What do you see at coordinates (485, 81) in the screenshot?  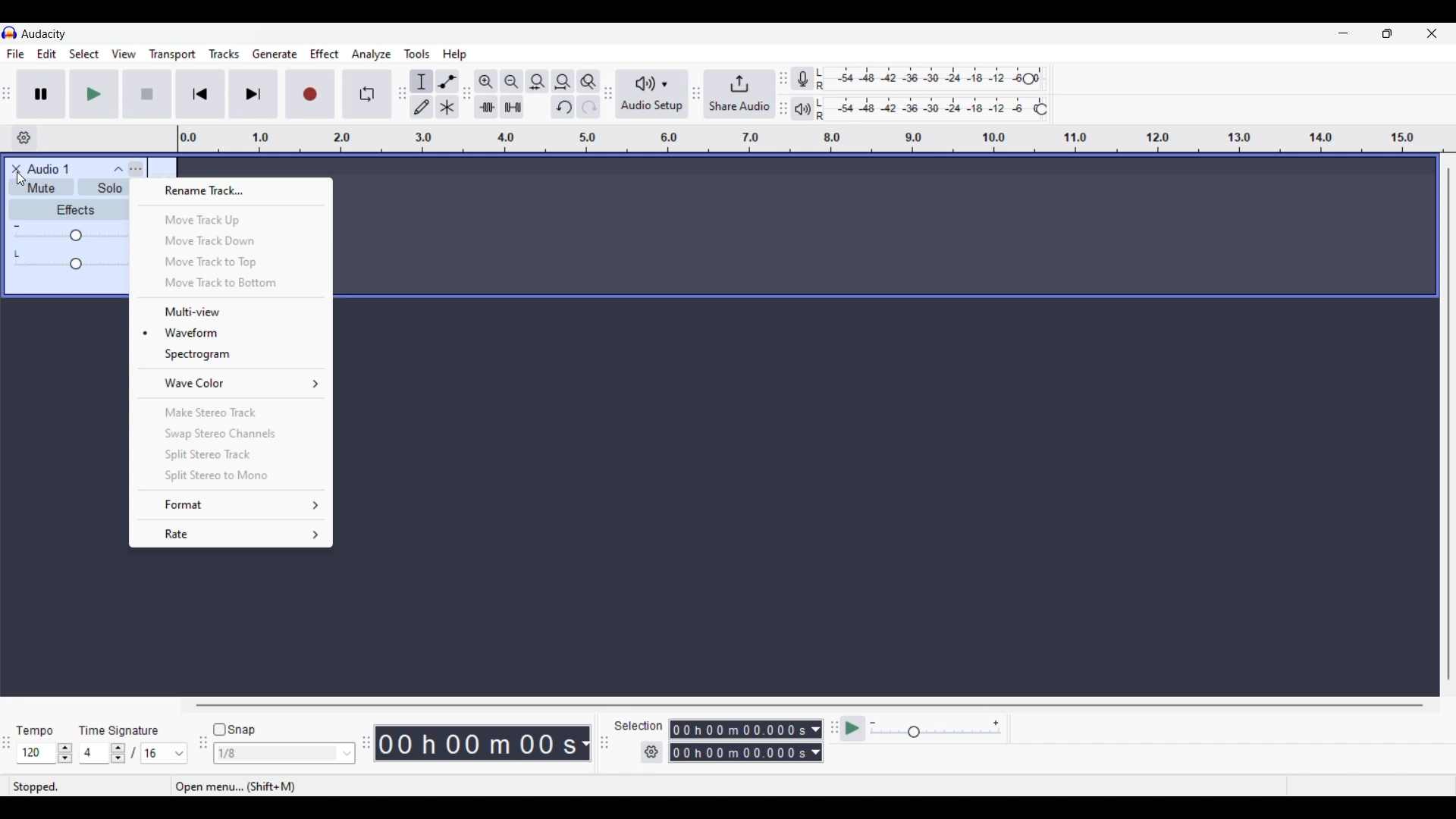 I see `Zoom in` at bounding box center [485, 81].